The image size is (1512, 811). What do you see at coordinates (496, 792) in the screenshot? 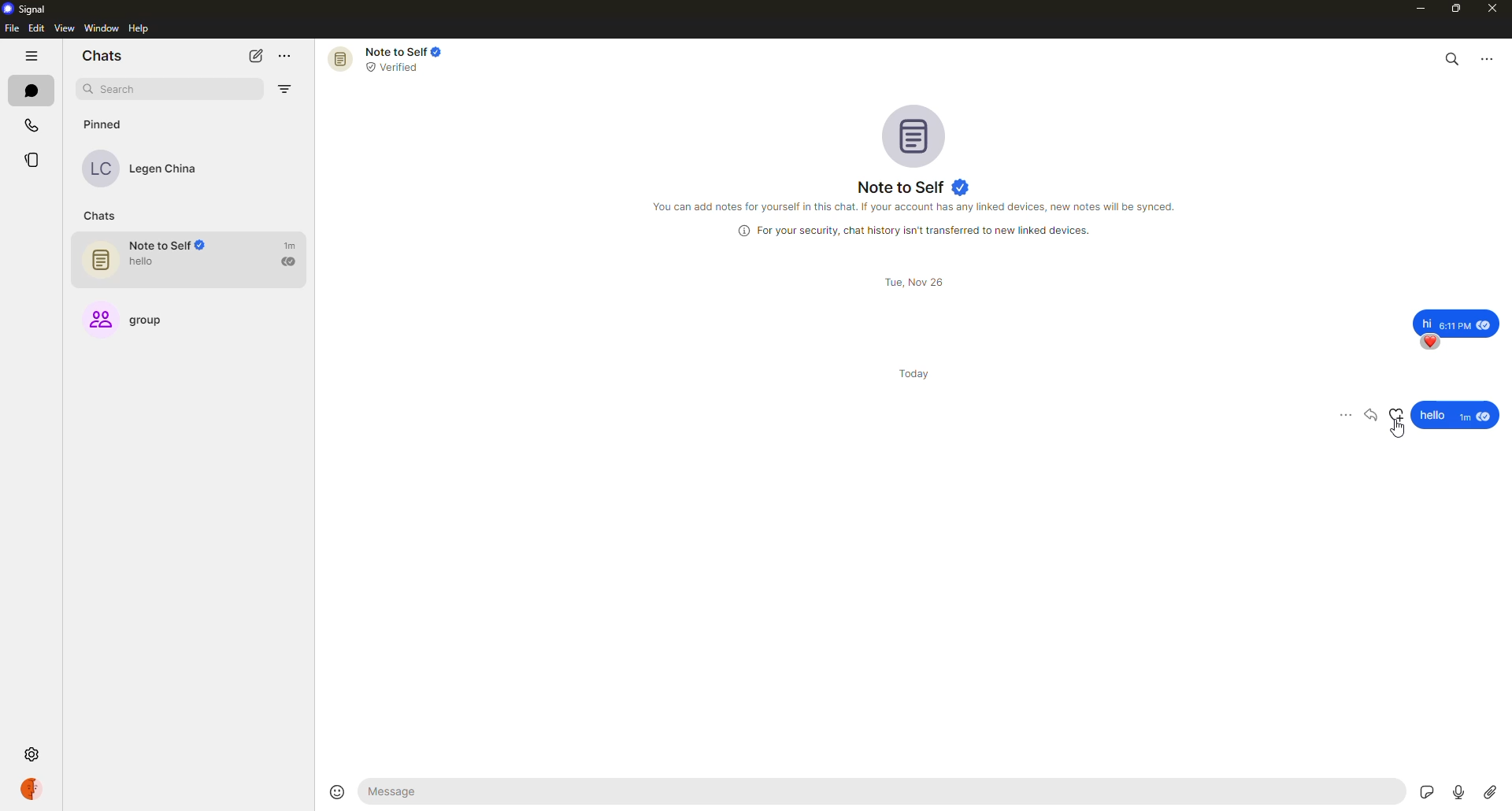
I see `message` at bounding box center [496, 792].